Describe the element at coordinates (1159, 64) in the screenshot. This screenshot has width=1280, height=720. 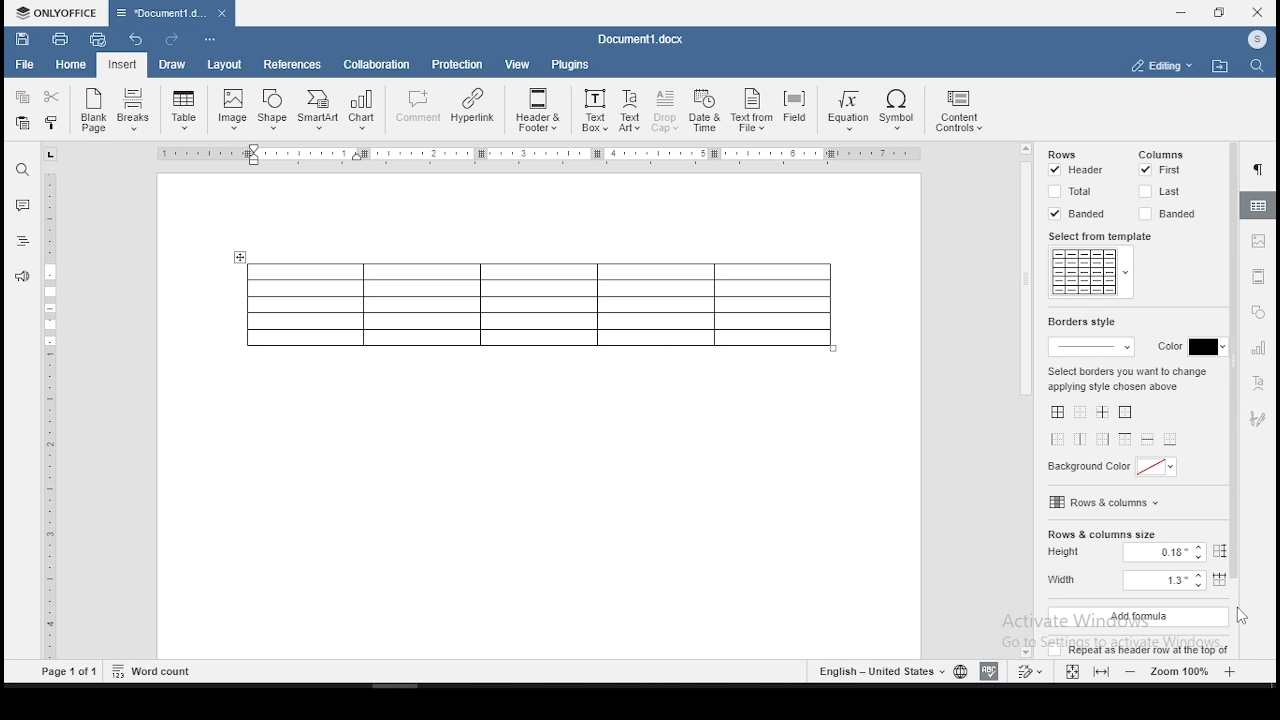
I see `select workspace` at that location.